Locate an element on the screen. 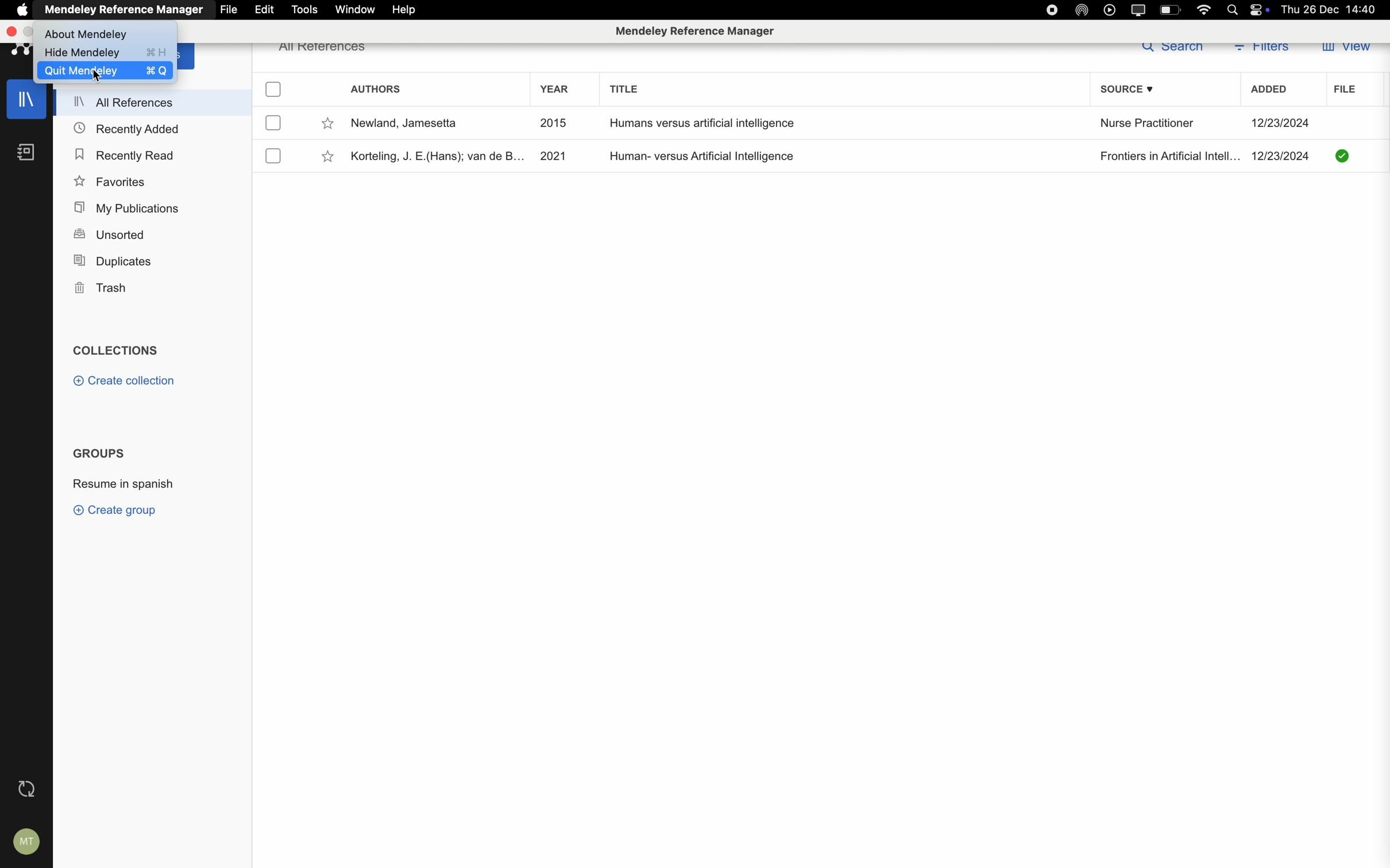 The height and width of the screenshot is (868, 1390). hide Mendeley is located at coordinates (107, 53).